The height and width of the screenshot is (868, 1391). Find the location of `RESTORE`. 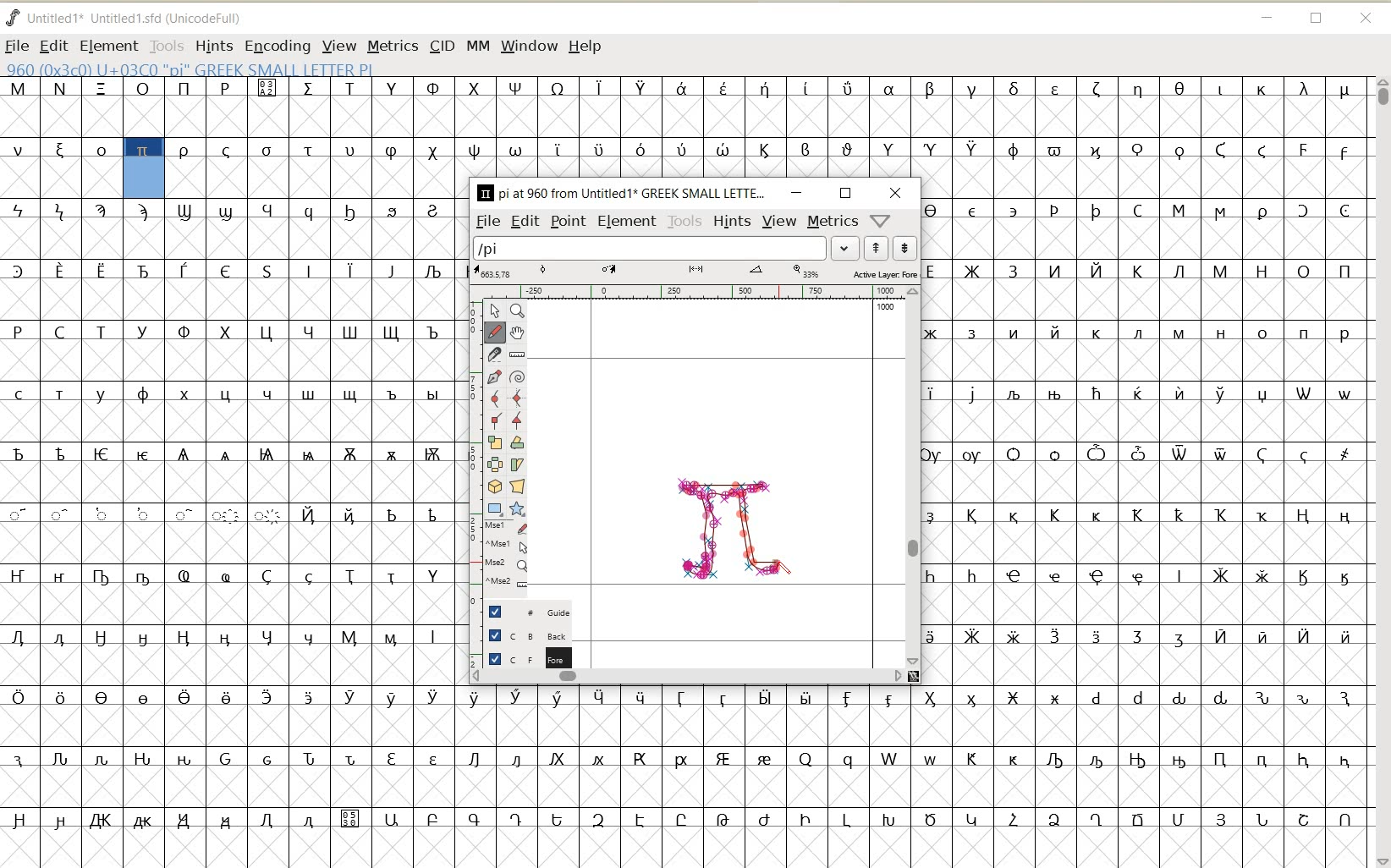

RESTORE is located at coordinates (847, 193).